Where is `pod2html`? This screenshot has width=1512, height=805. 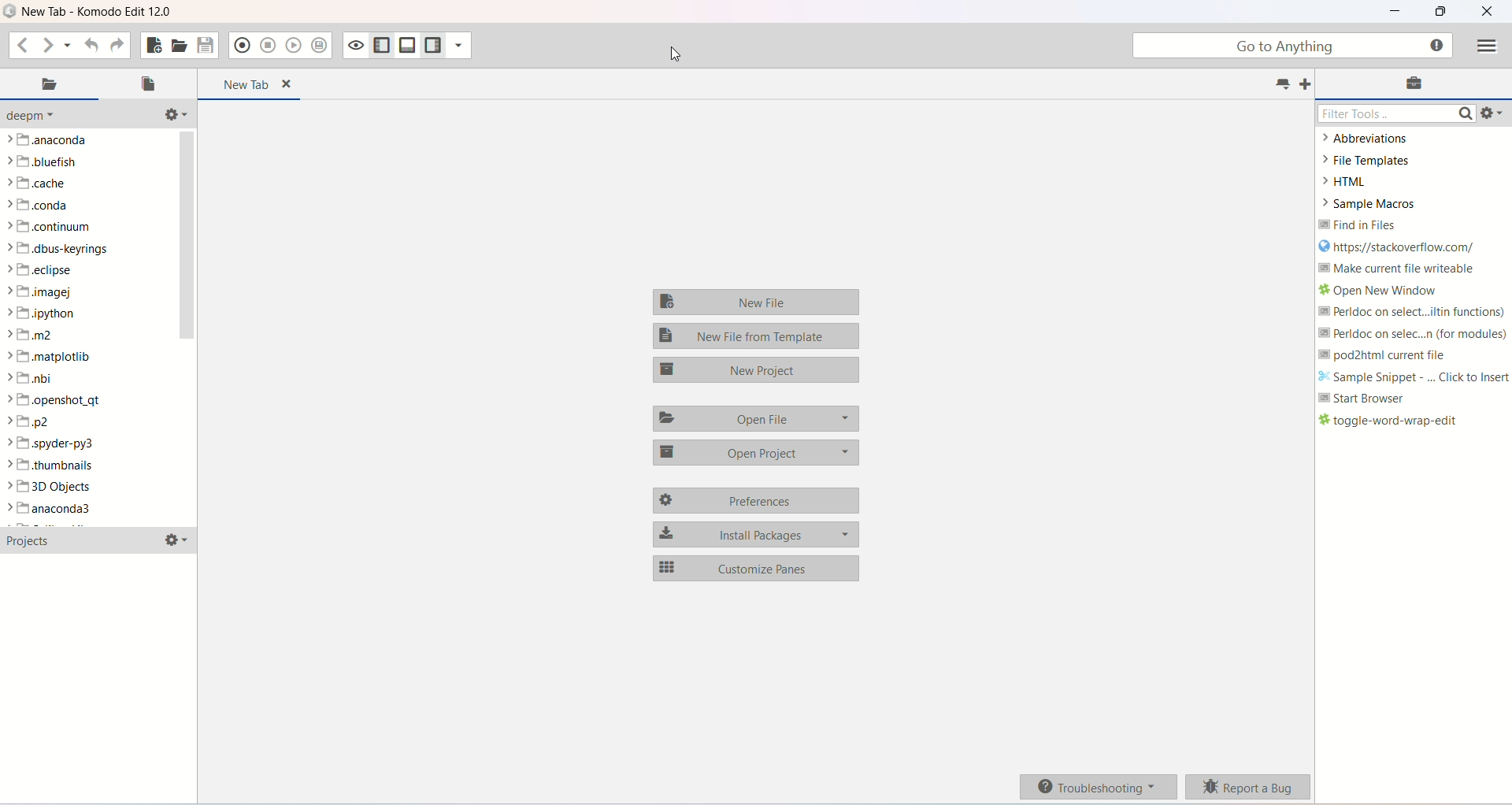
pod2html is located at coordinates (1383, 356).